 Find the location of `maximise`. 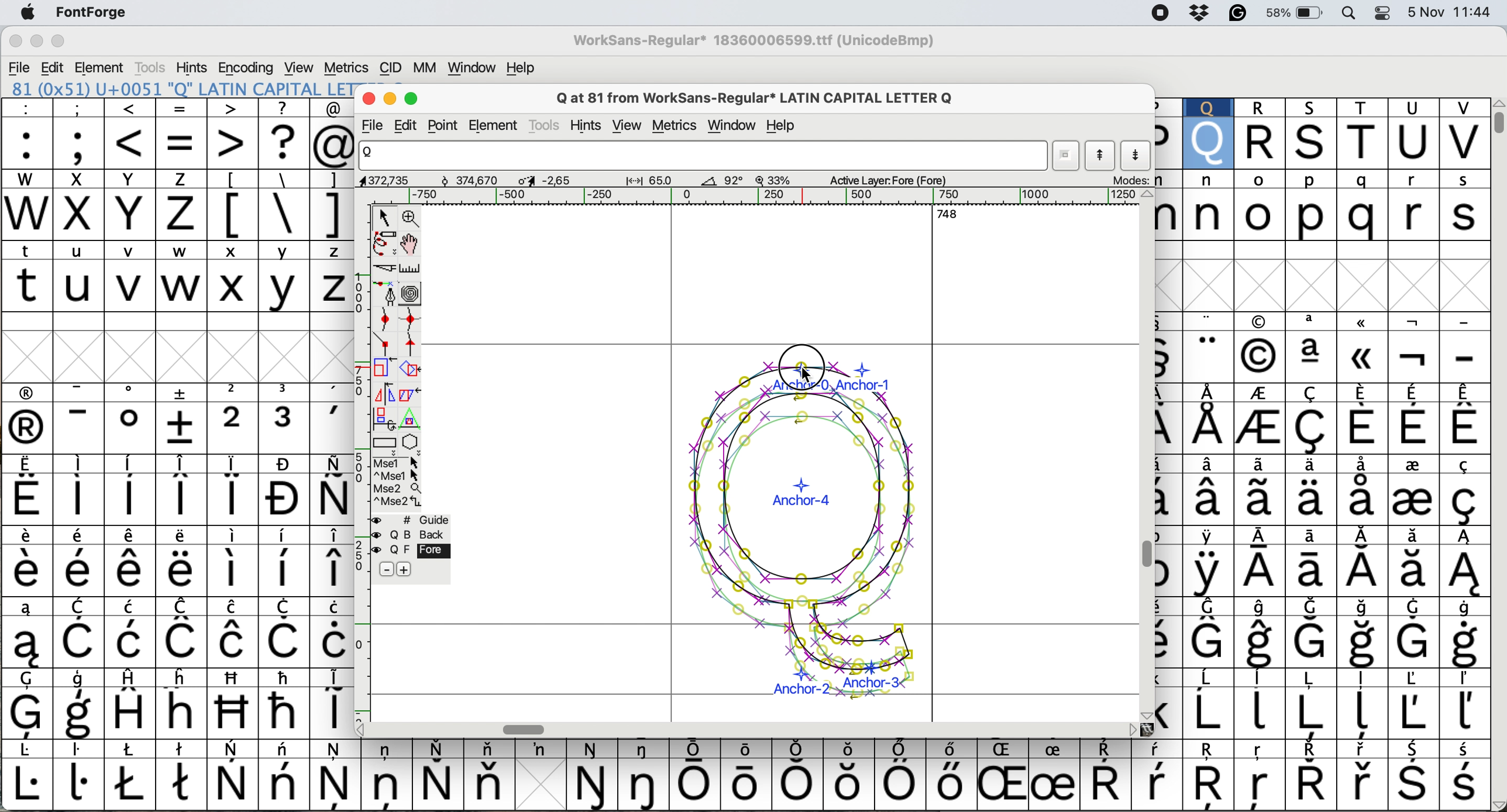

maximise is located at coordinates (59, 40).